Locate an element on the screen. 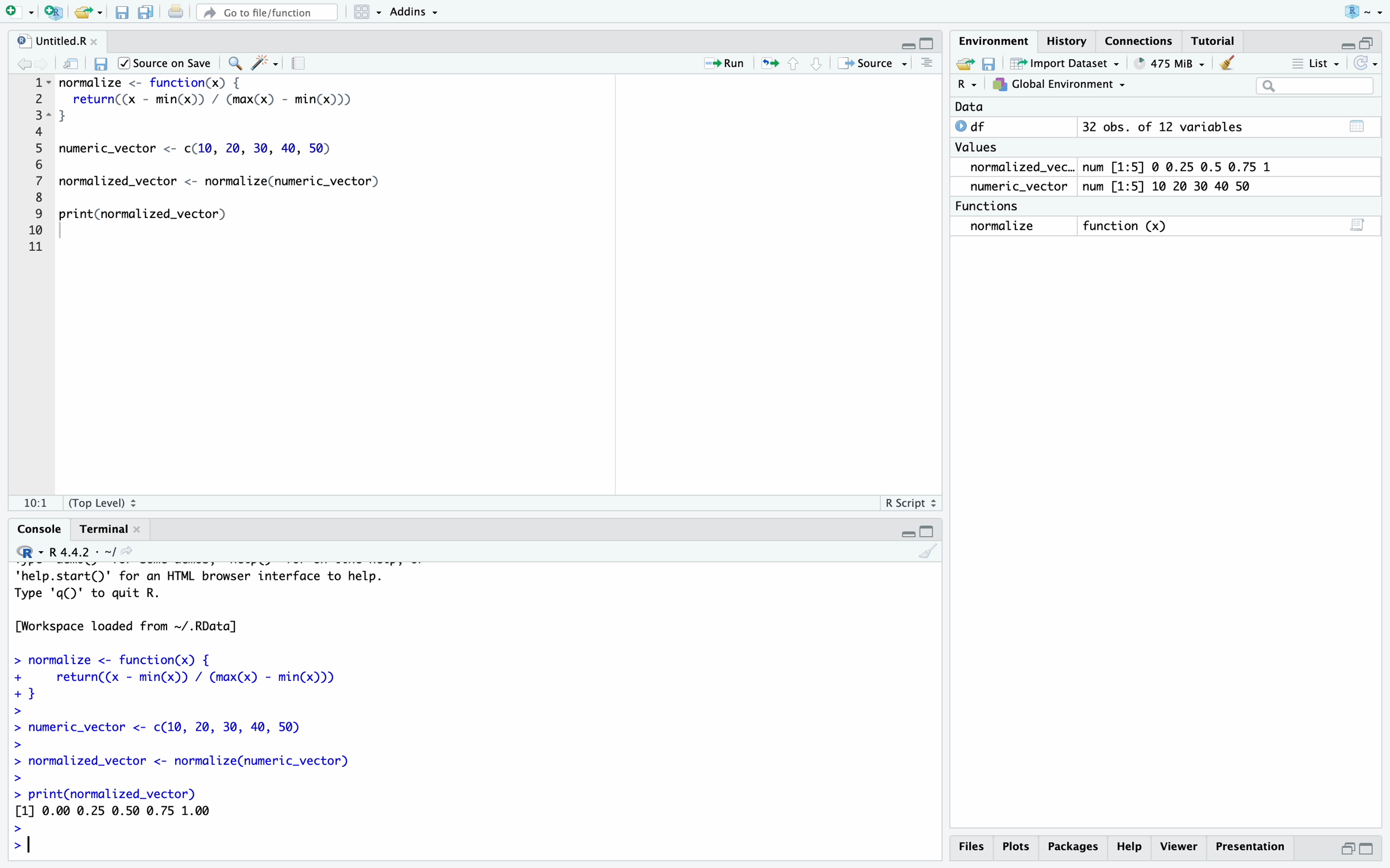 The image size is (1390, 868). Source is located at coordinates (869, 64).